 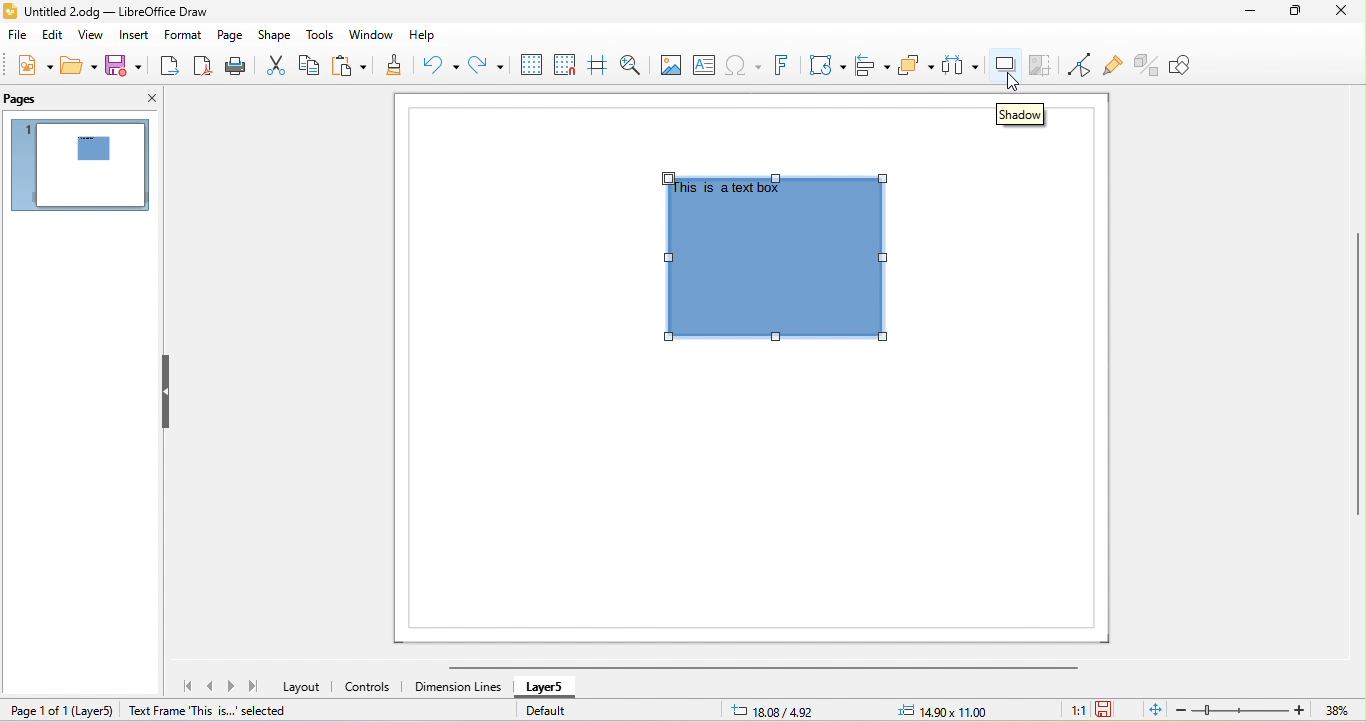 I want to click on page 1, so click(x=79, y=164).